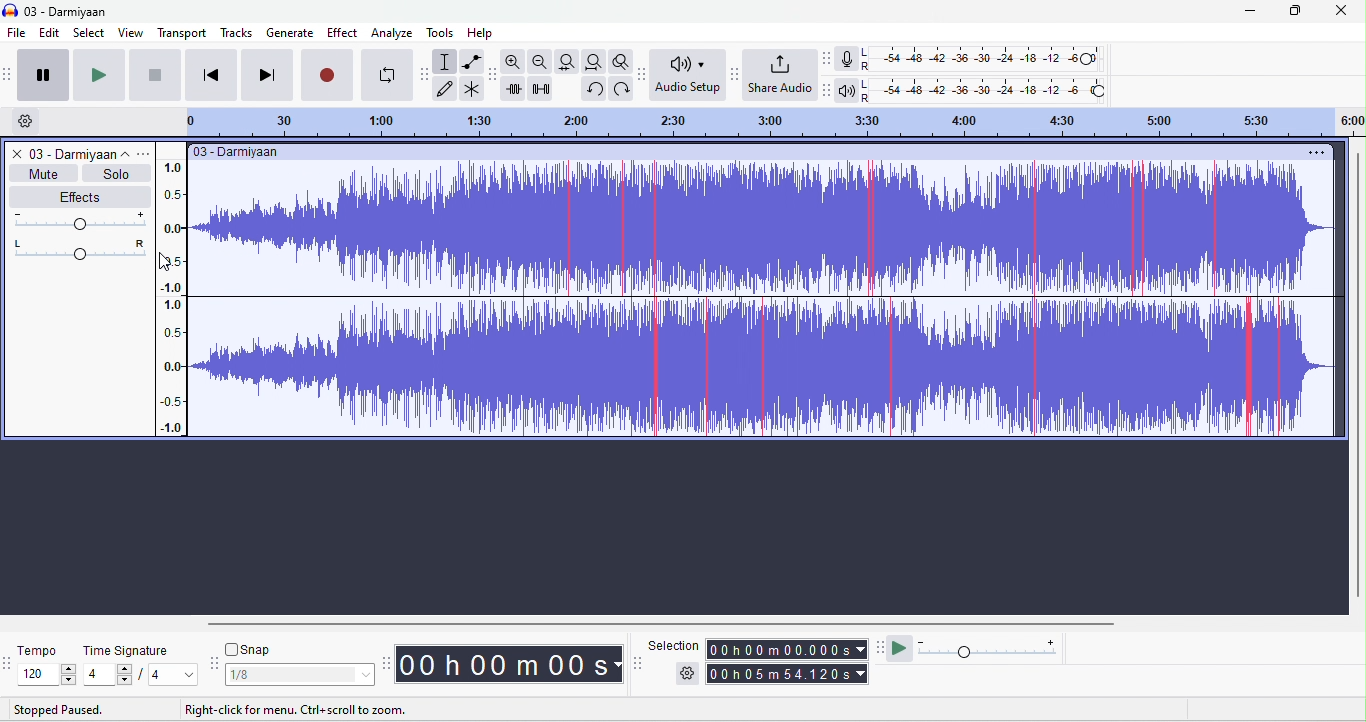 The width and height of the screenshot is (1366, 722). What do you see at coordinates (162, 262) in the screenshot?
I see `cursor` at bounding box center [162, 262].